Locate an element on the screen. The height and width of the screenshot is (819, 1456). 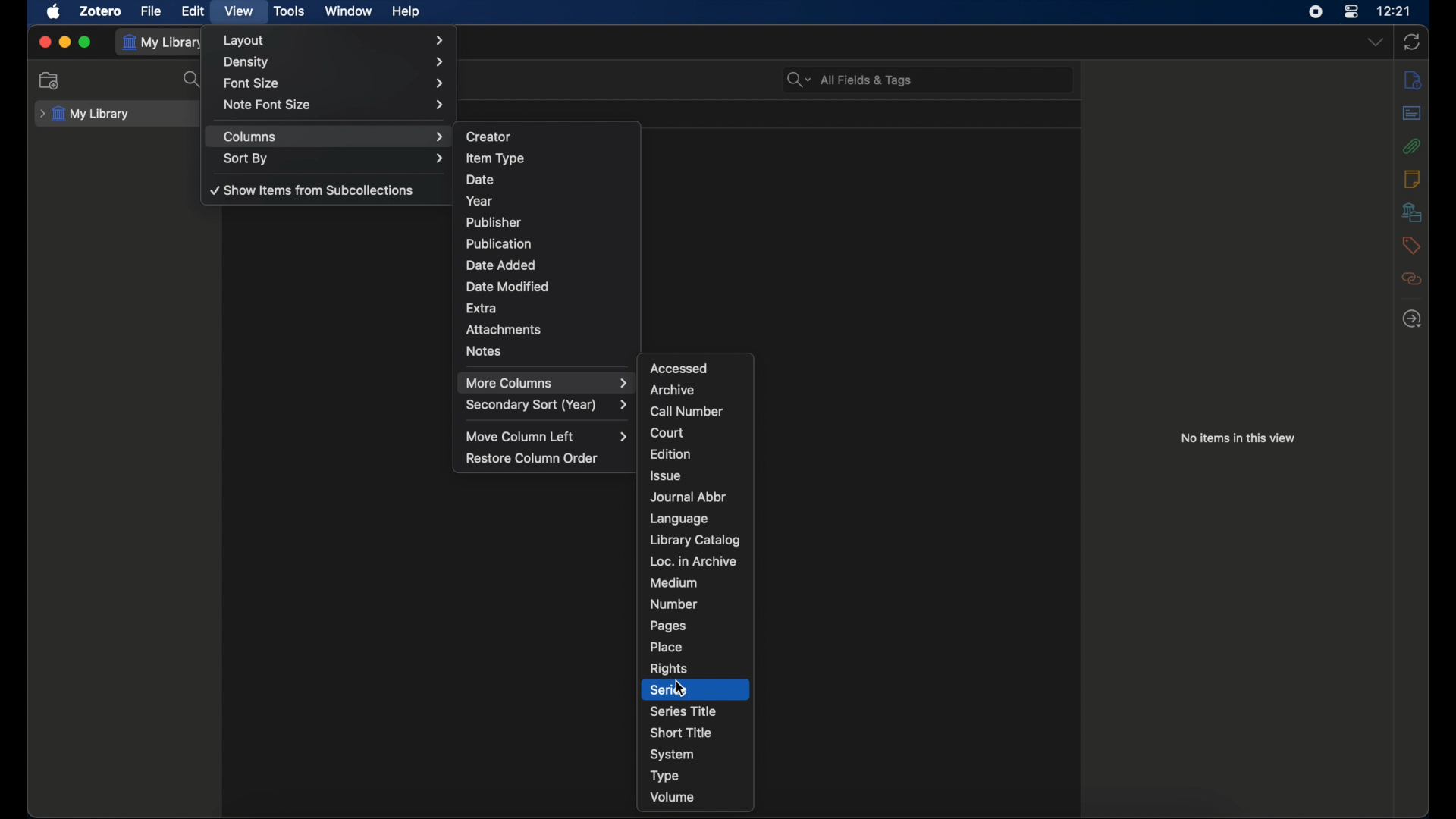
attachments is located at coordinates (504, 329).